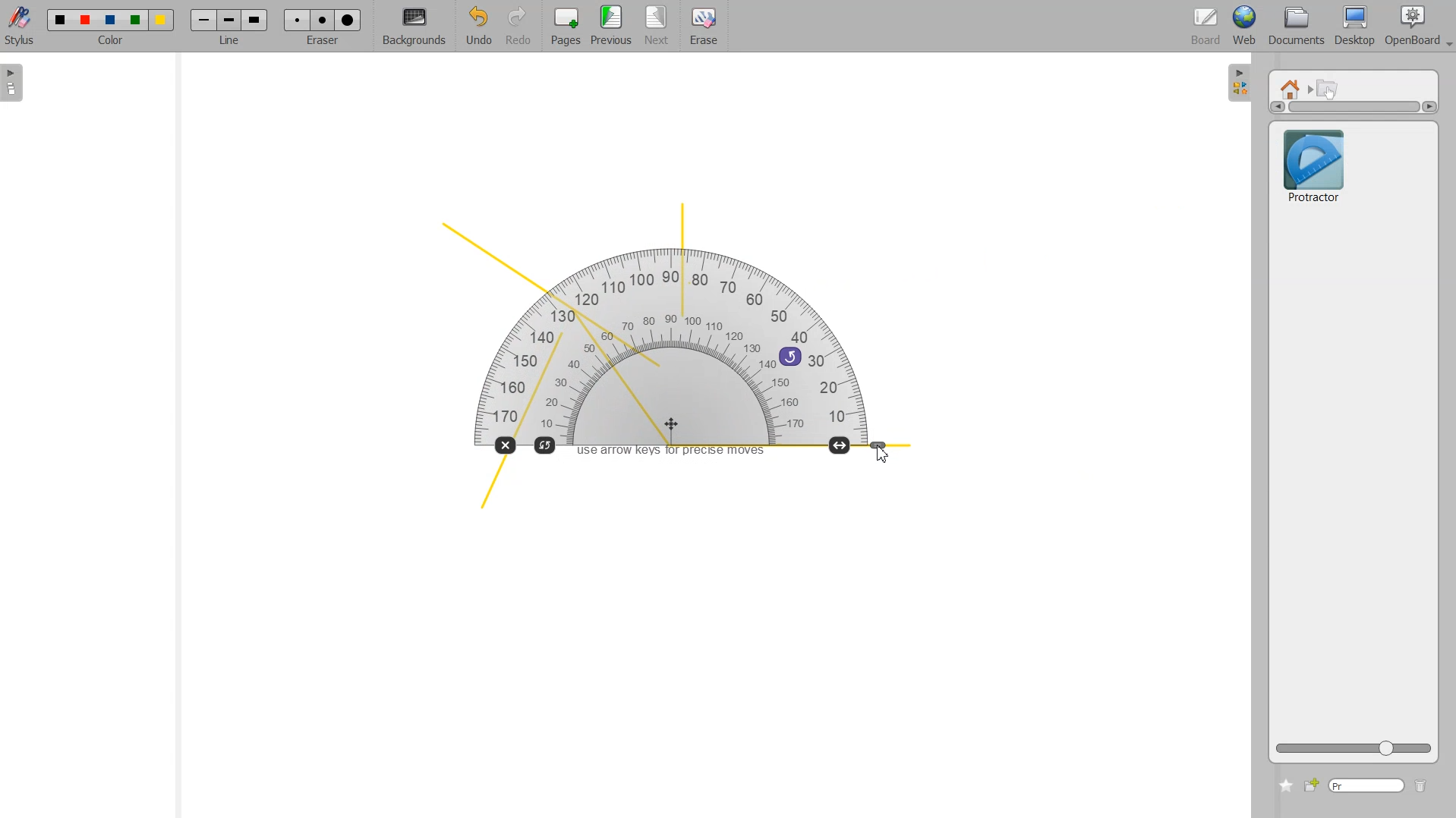 This screenshot has width=1456, height=818. I want to click on Interactive, so click(1328, 88).